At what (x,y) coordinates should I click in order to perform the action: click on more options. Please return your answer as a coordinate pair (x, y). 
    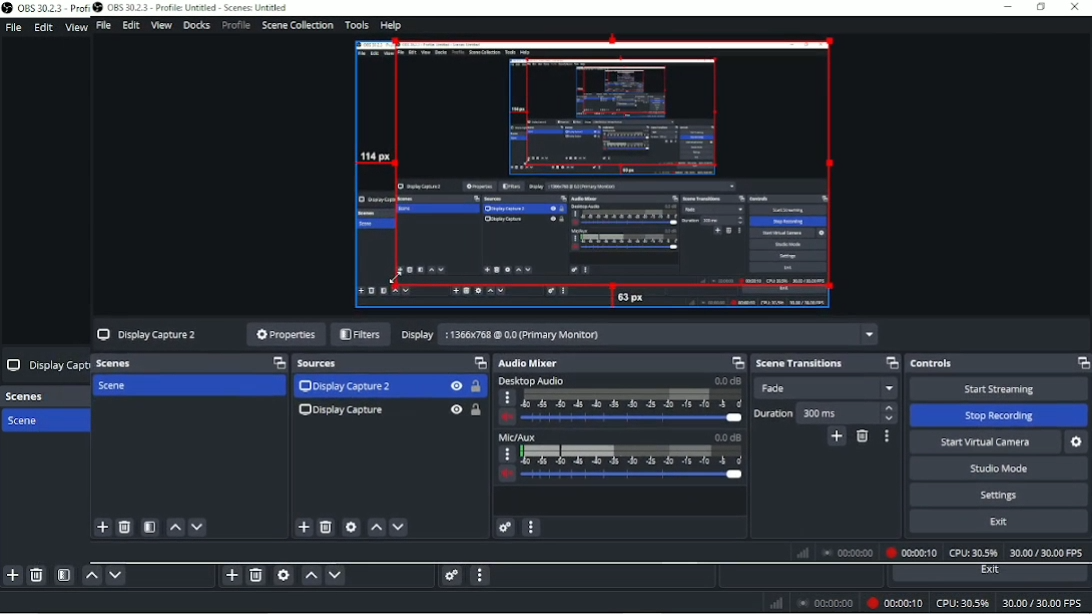
    Looking at the image, I should click on (504, 455).